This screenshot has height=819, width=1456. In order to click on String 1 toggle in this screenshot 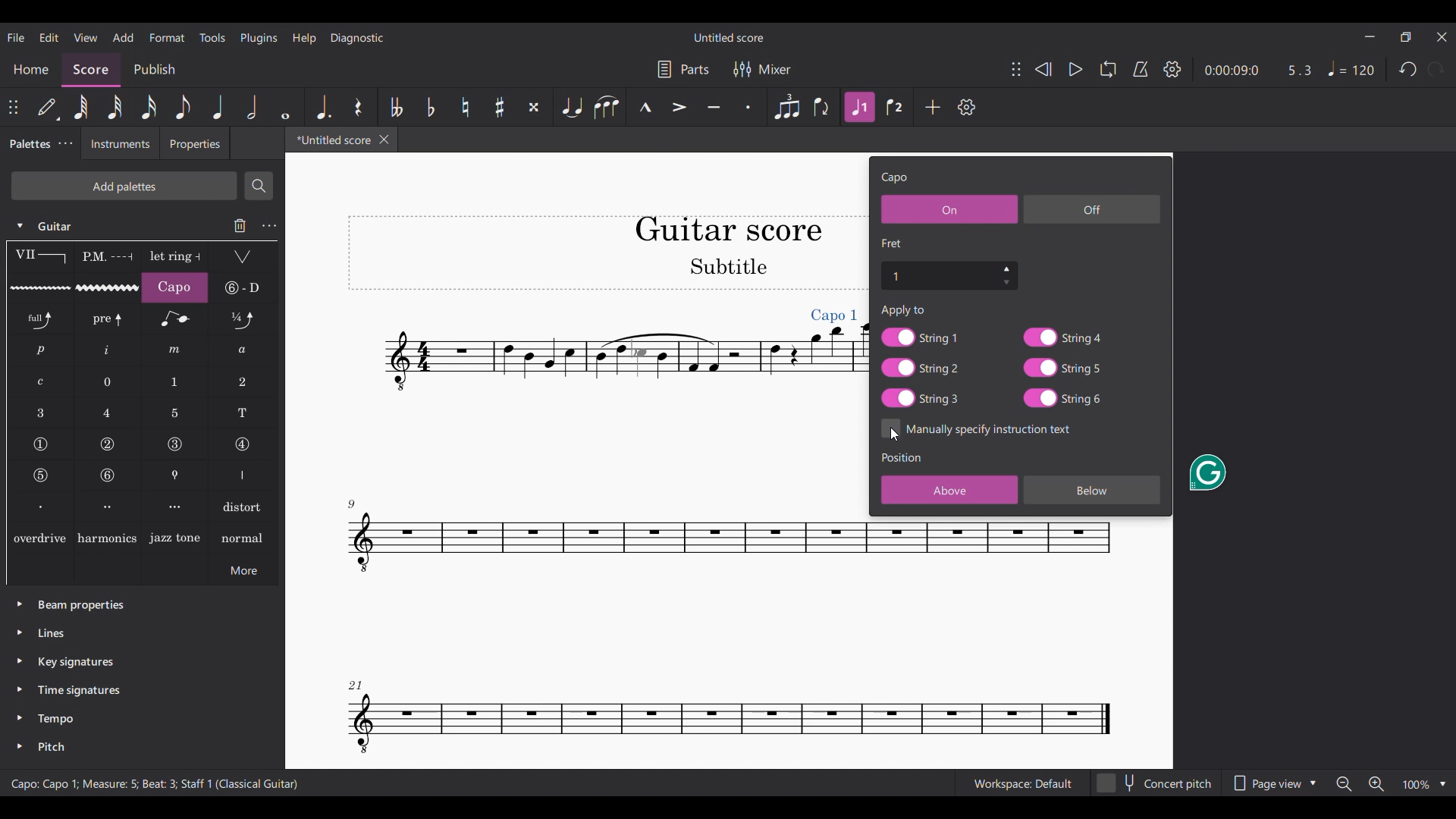, I will do `click(920, 337)`.